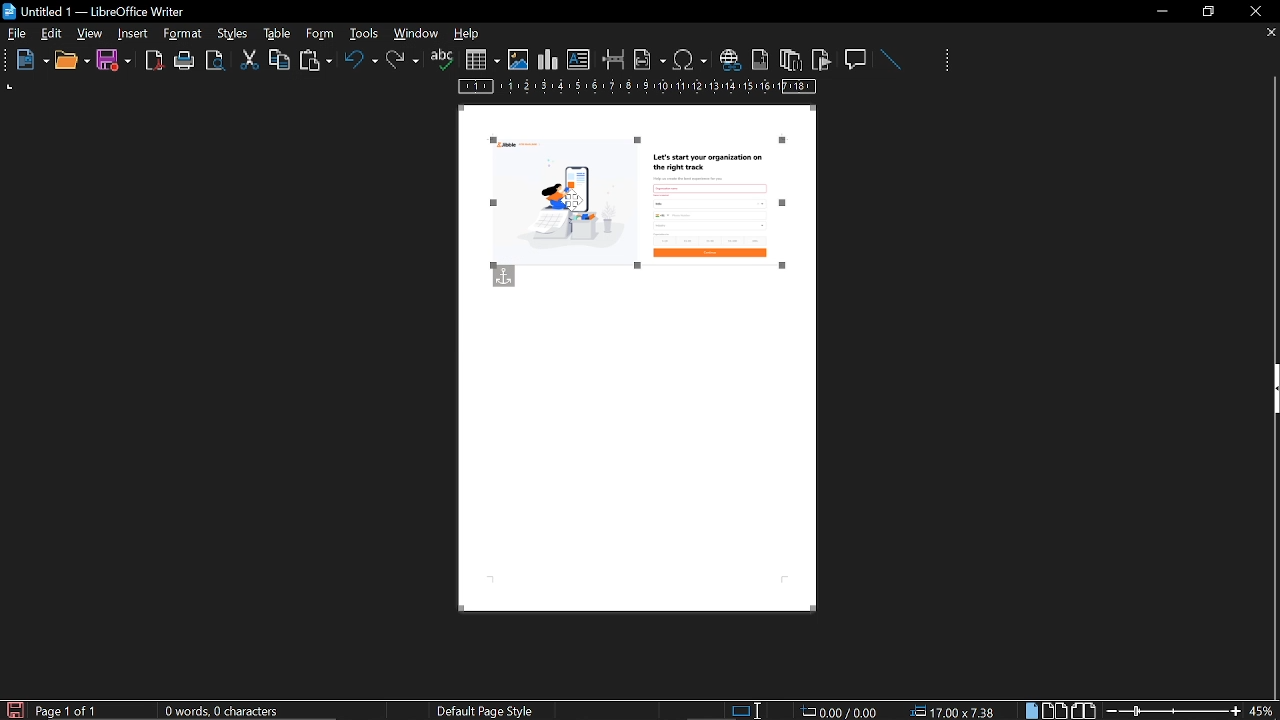  What do you see at coordinates (729, 61) in the screenshot?
I see `insert hyperlink` at bounding box center [729, 61].